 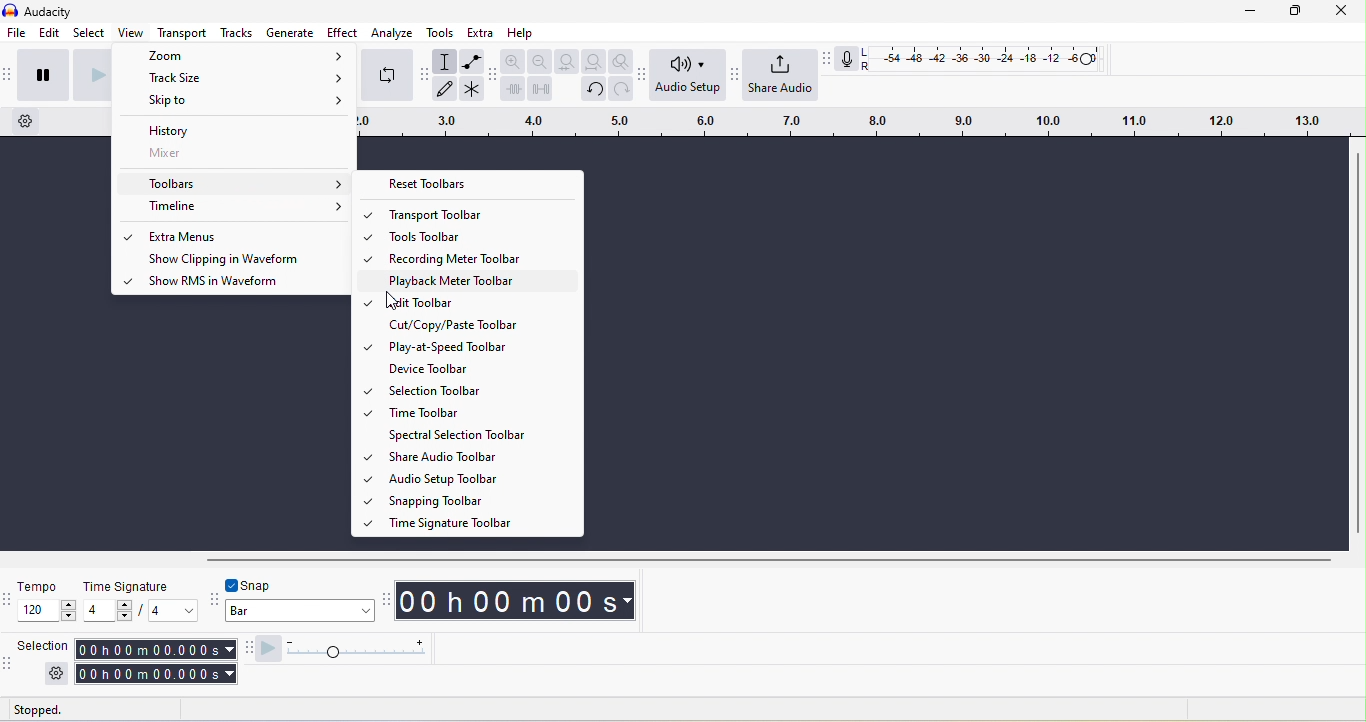 What do you see at coordinates (125, 280) in the screenshot?
I see `option enabled` at bounding box center [125, 280].